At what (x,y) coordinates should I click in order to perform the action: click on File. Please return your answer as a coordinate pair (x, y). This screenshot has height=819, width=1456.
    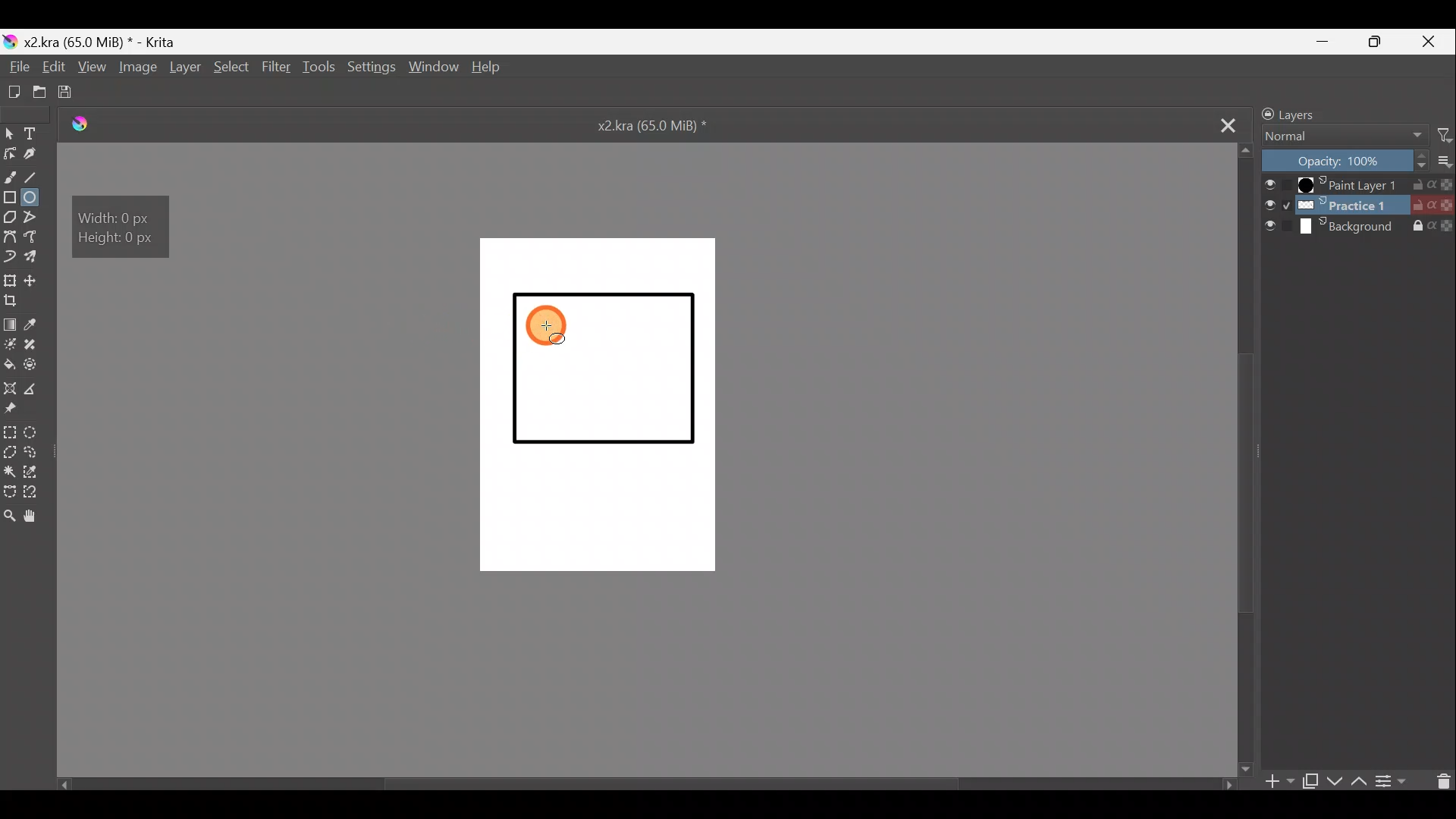
    Looking at the image, I should click on (15, 67).